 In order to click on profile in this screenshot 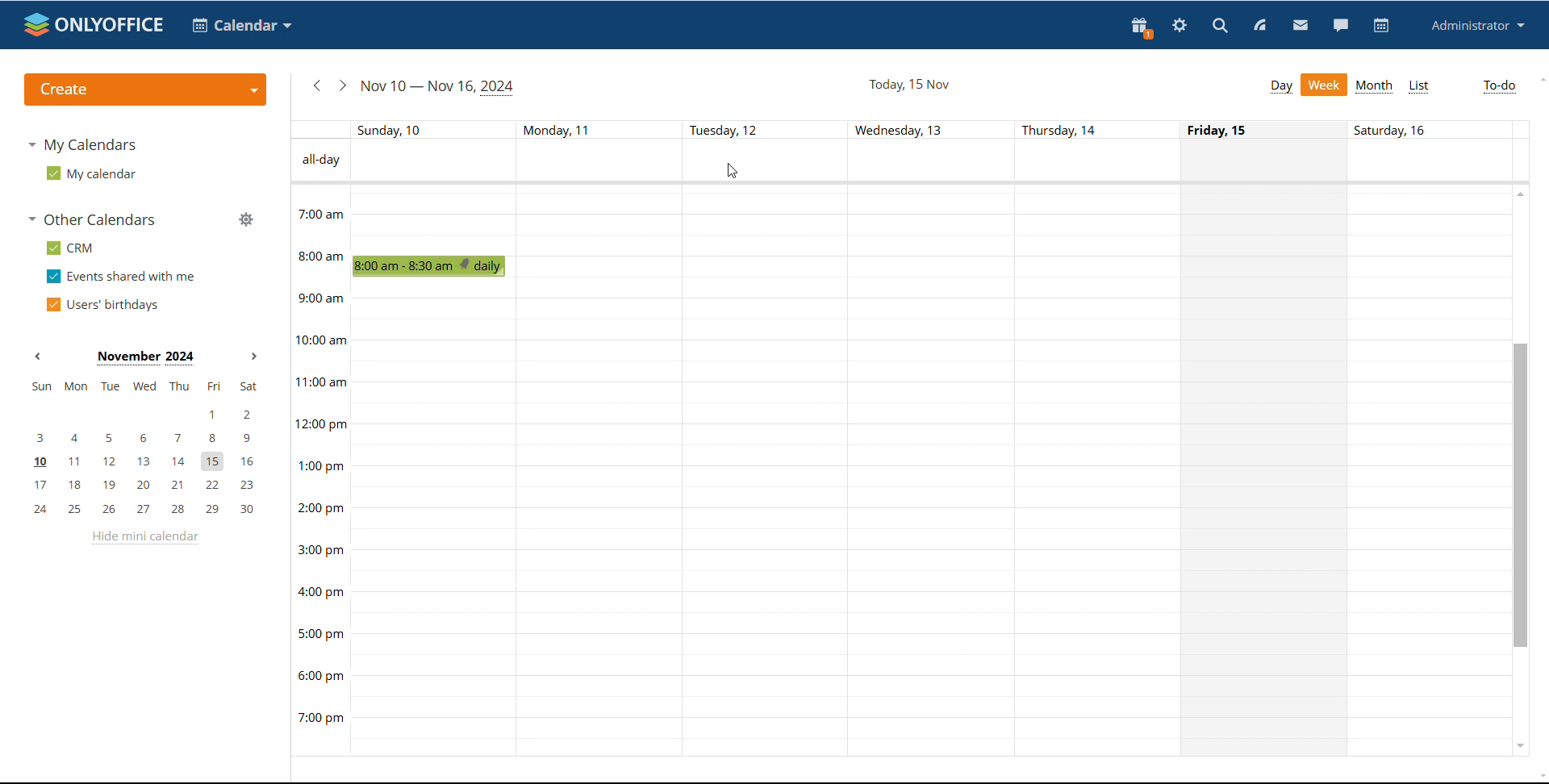, I will do `click(1479, 26)`.